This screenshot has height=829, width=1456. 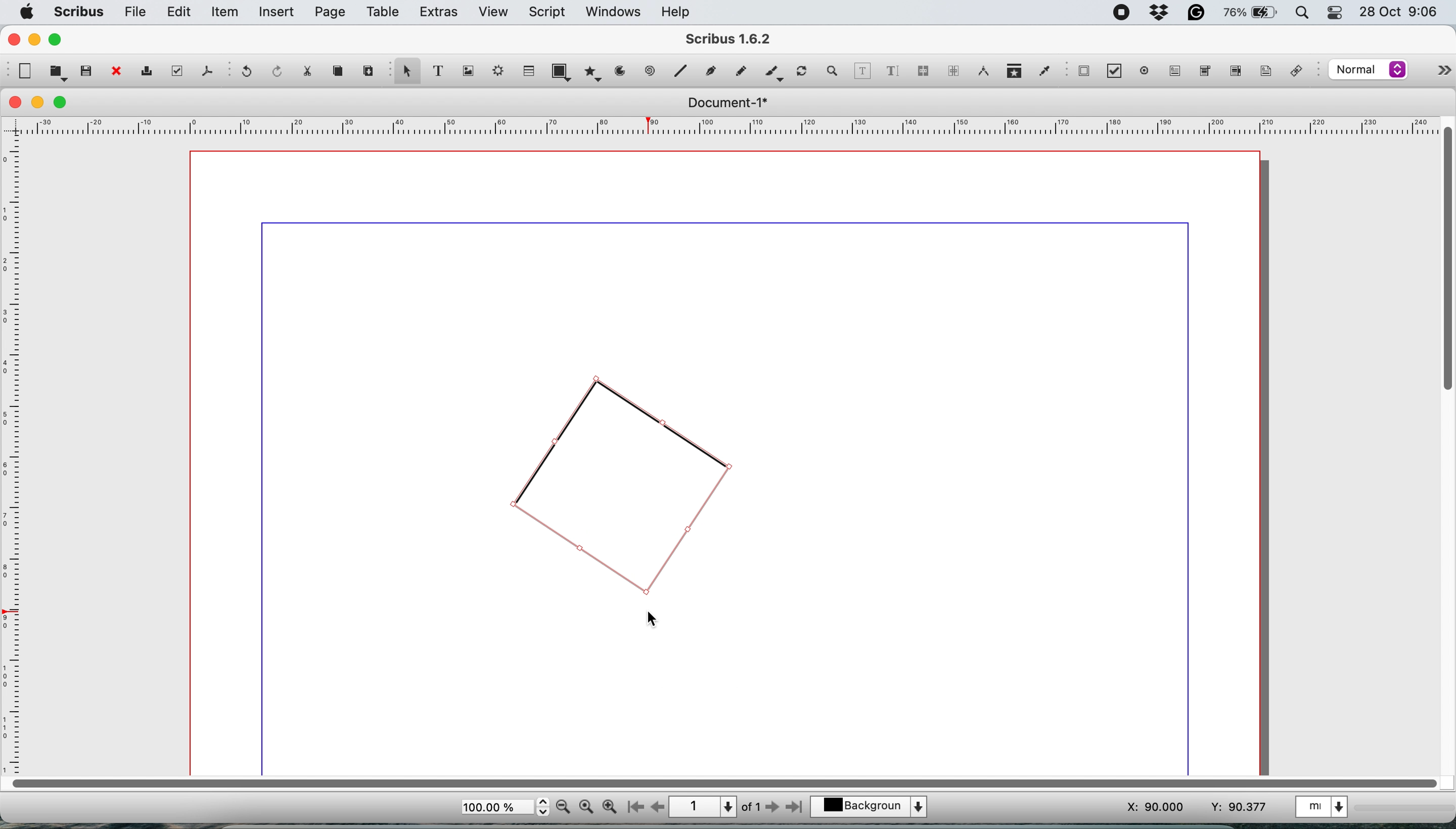 I want to click on freehand line, so click(x=738, y=71).